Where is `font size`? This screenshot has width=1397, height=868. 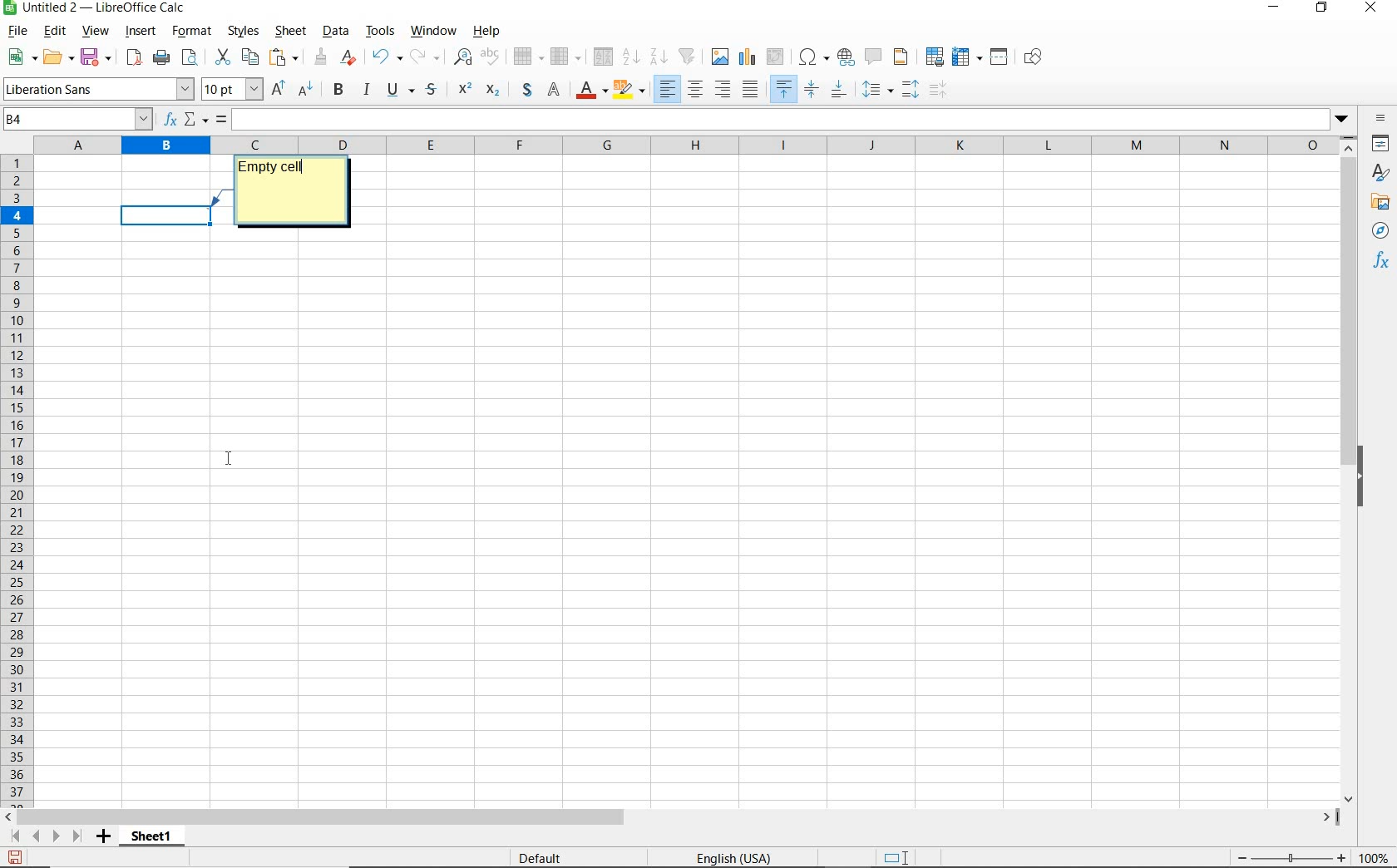
font size is located at coordinates (233, 89).